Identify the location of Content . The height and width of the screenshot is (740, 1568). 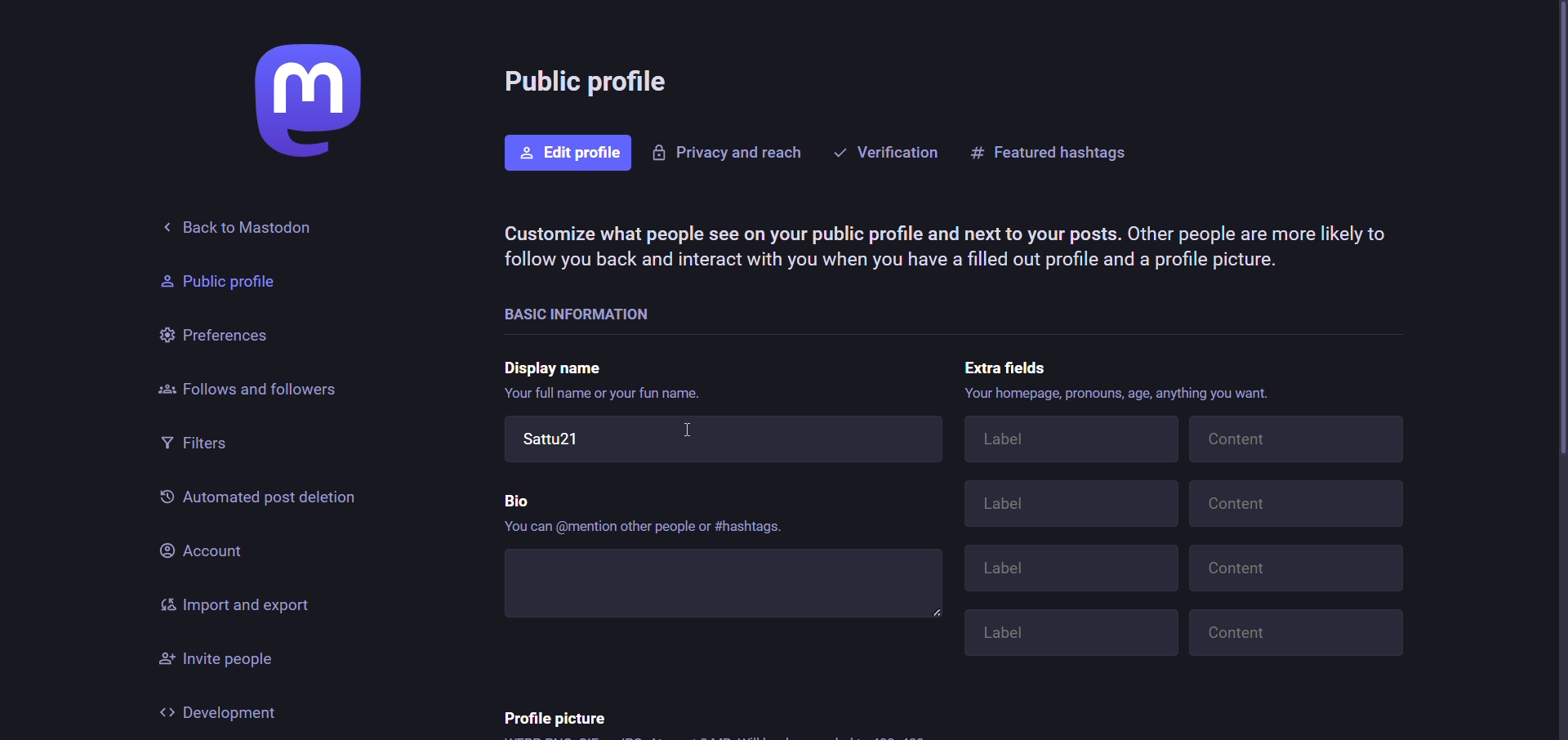
(1297, 439).